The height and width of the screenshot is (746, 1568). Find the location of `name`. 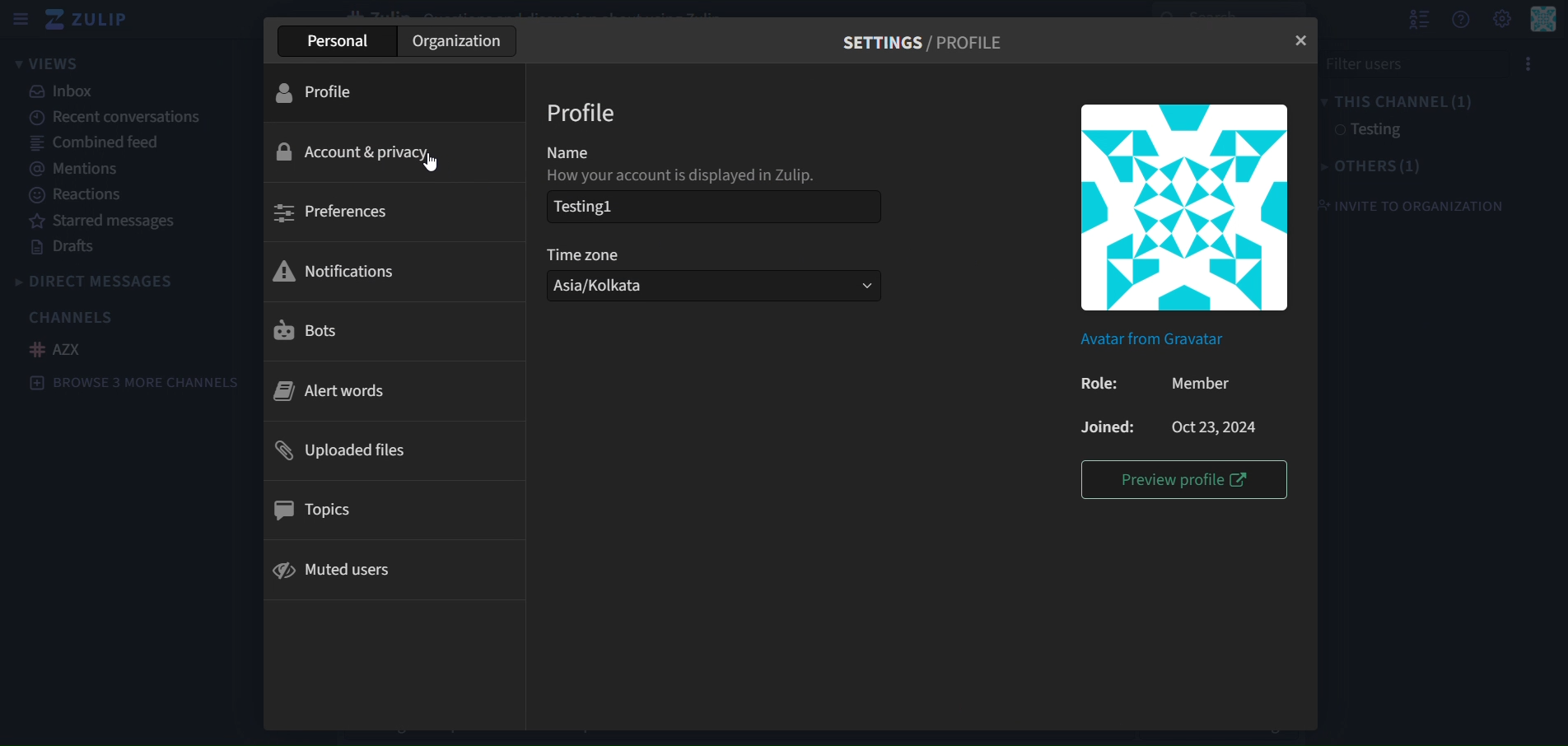

name is located at coordinates (580, 153).